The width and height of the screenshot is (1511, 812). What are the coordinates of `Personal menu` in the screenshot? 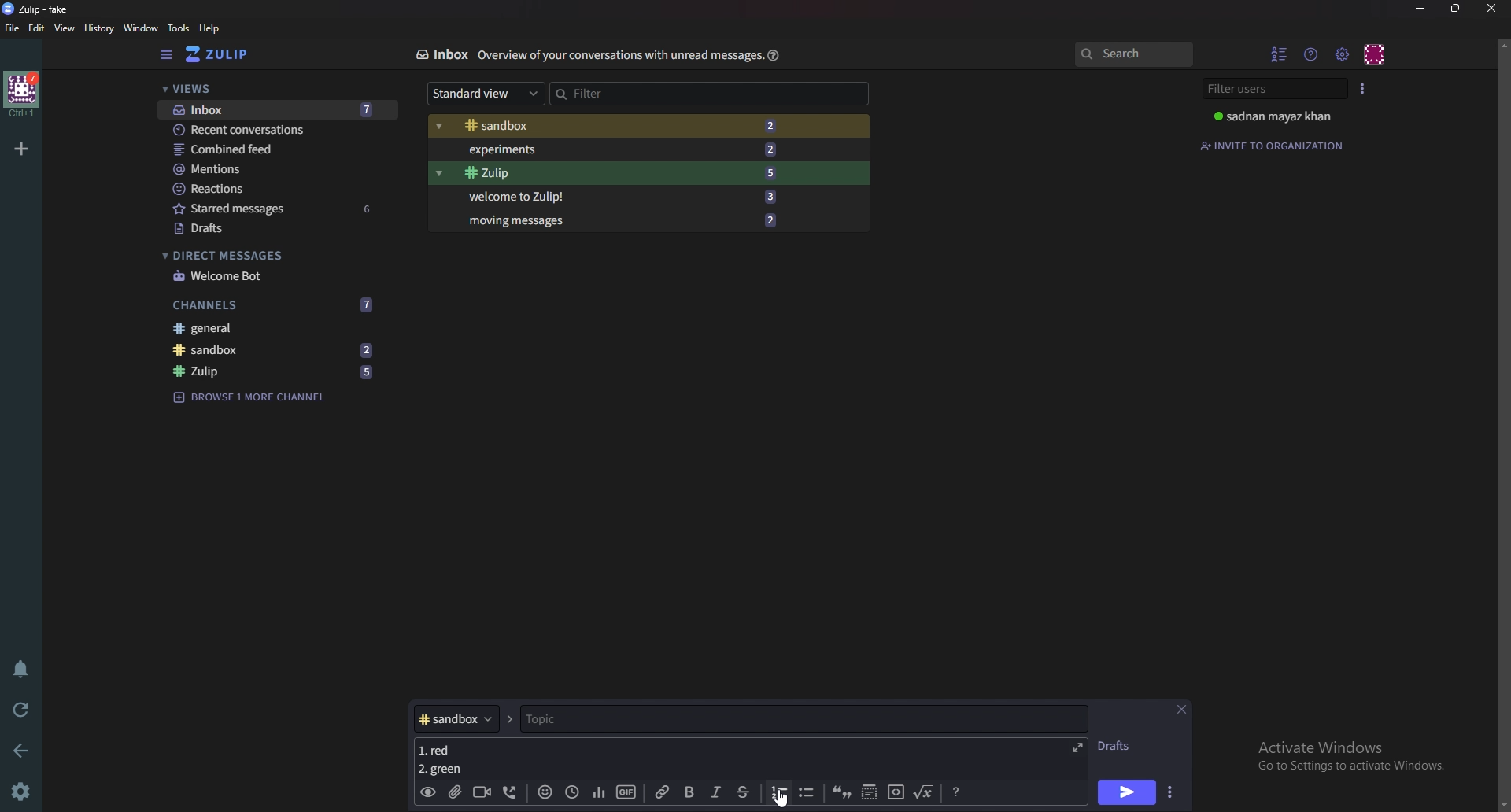 It's located at (1376, 53).